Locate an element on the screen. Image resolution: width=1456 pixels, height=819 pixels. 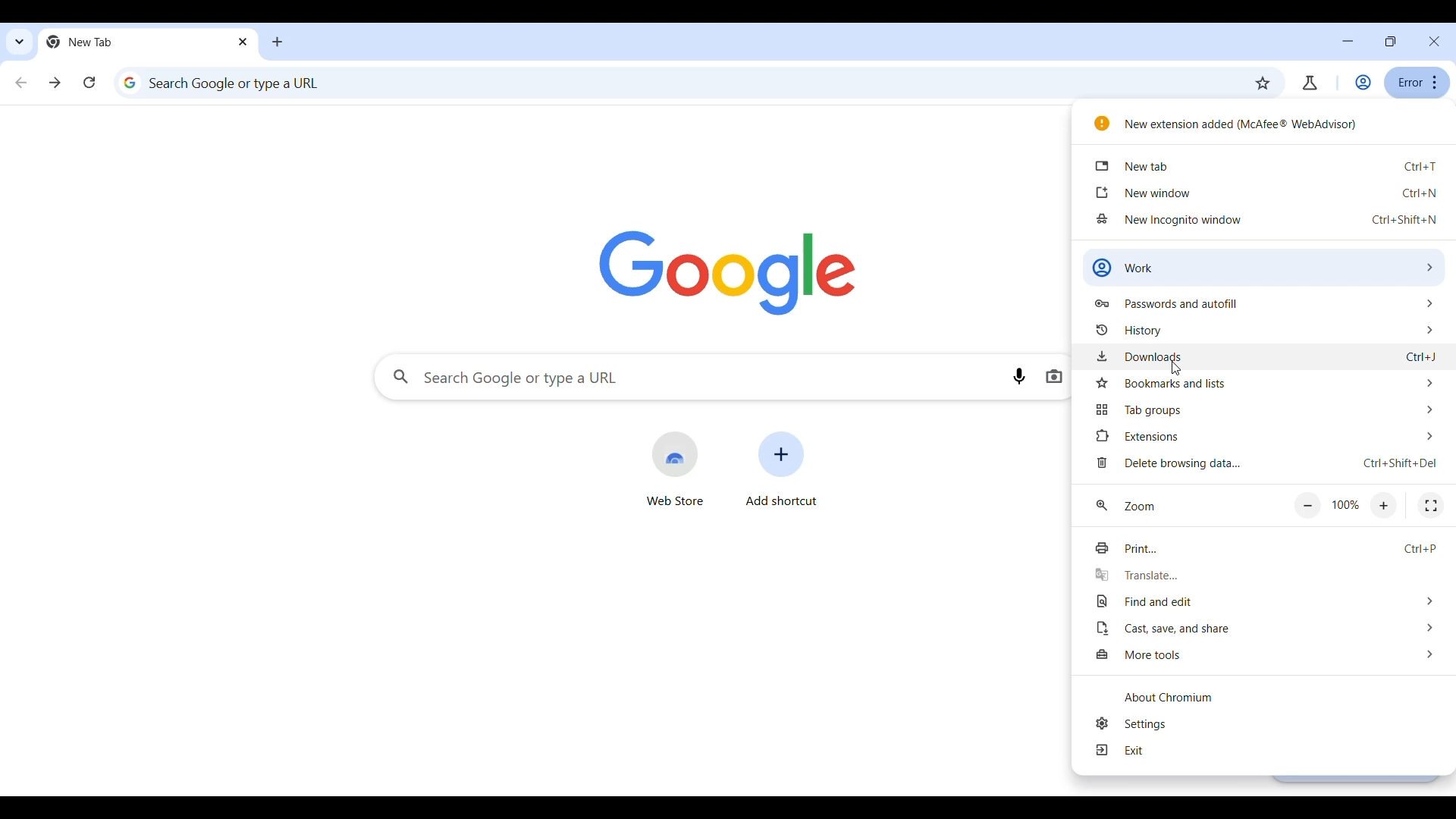
Google logo is located at coordinates (728, 273).